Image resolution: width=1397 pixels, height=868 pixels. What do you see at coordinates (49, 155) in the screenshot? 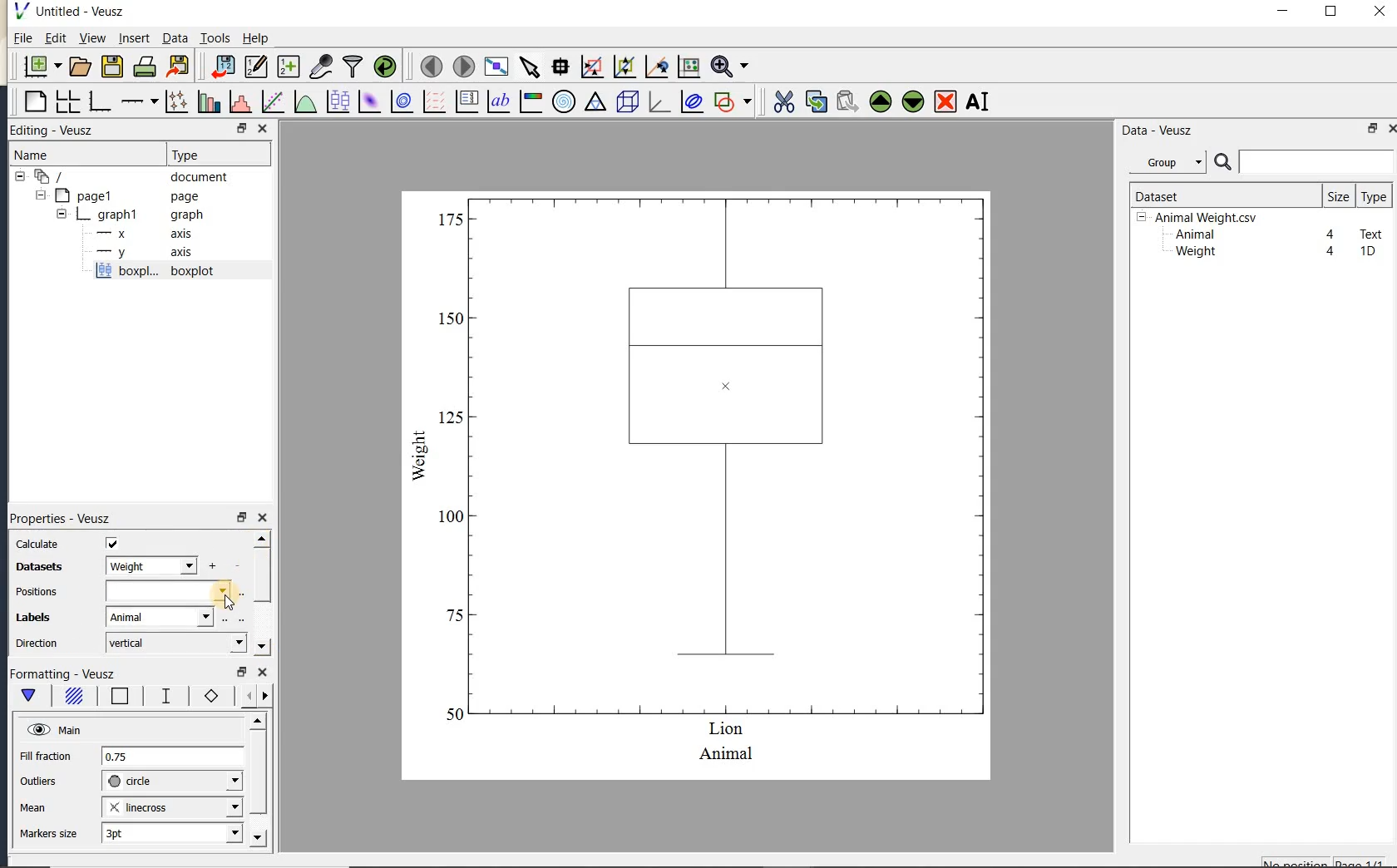
I see `Name` at bounding box center [49, 155].